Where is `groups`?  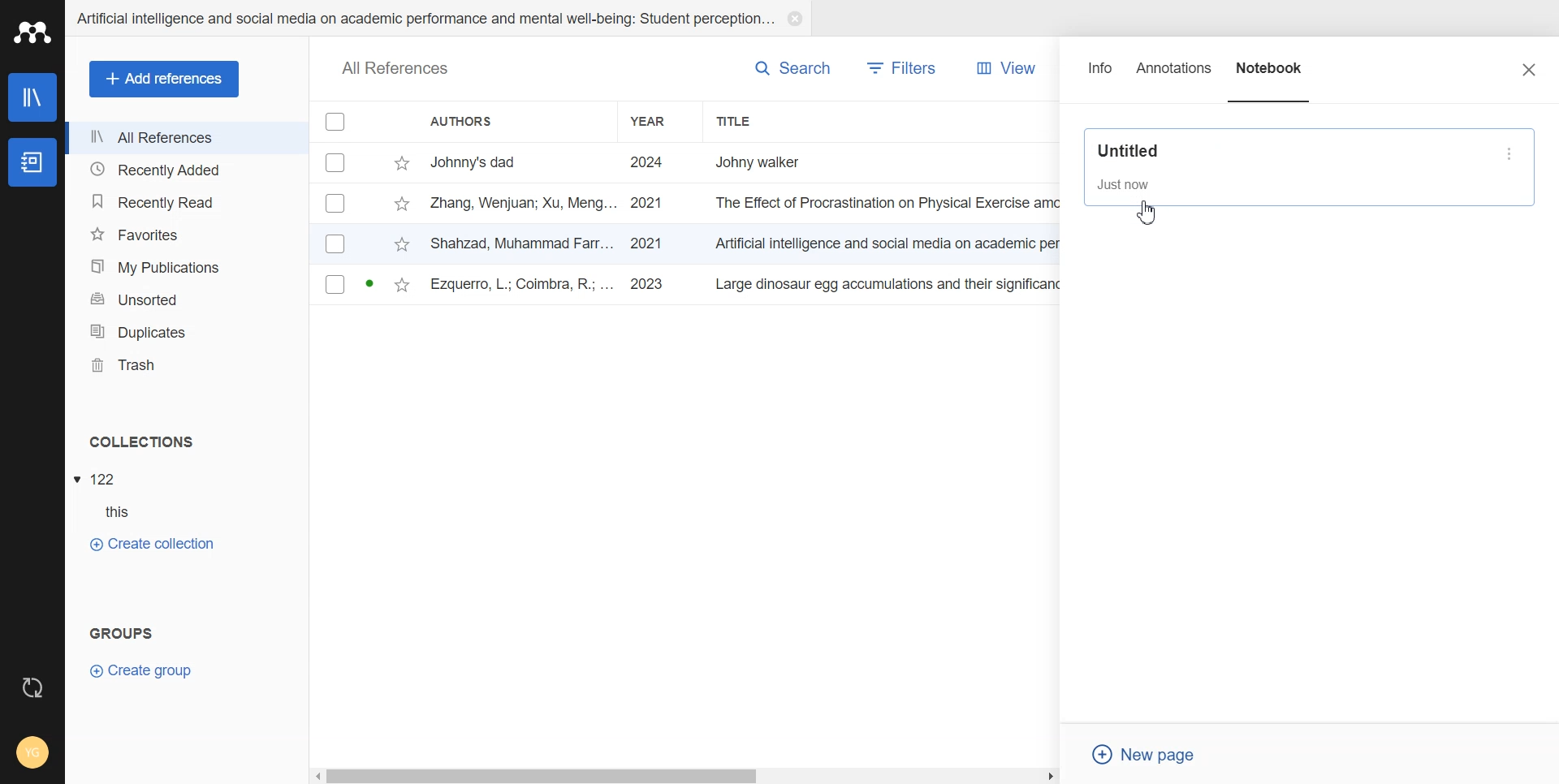
groups is located at coordinates (123, 631).